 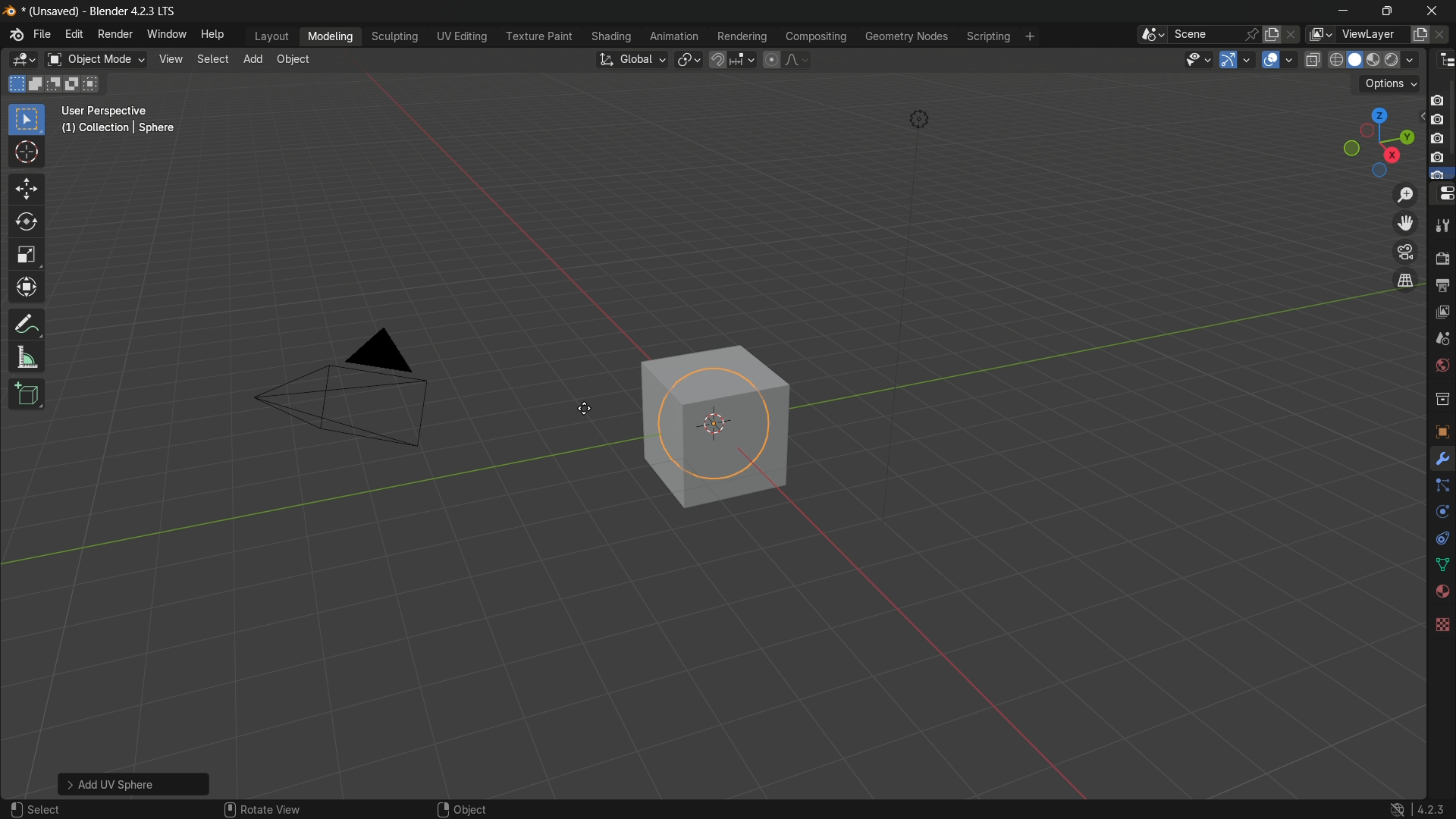 What do you see at coordinates (1276, 34) in the screenshot?
I see `new scene` at bounding box center [1276, 34].